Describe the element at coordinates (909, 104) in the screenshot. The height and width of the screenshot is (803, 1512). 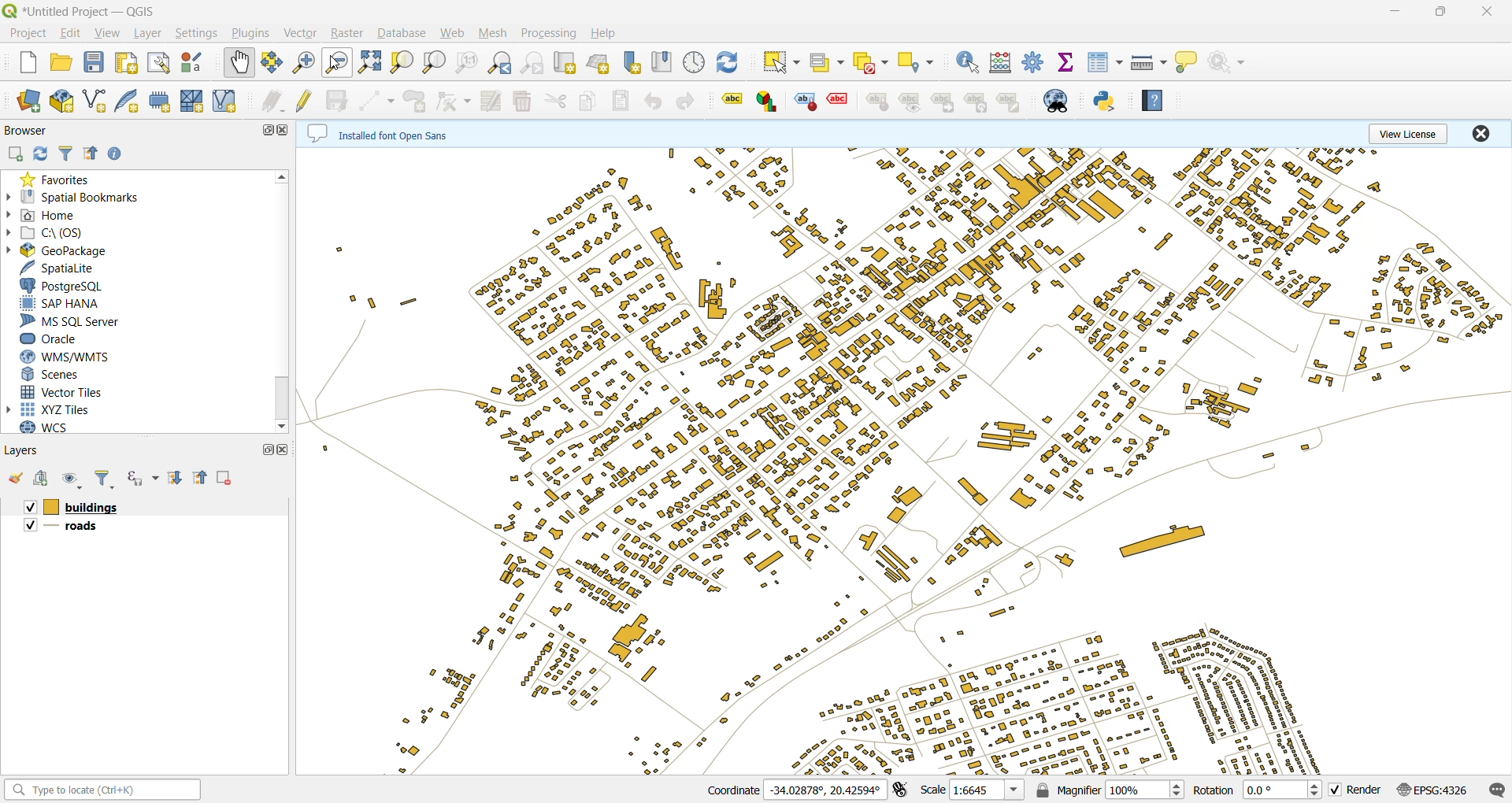
I see `label` at that location.